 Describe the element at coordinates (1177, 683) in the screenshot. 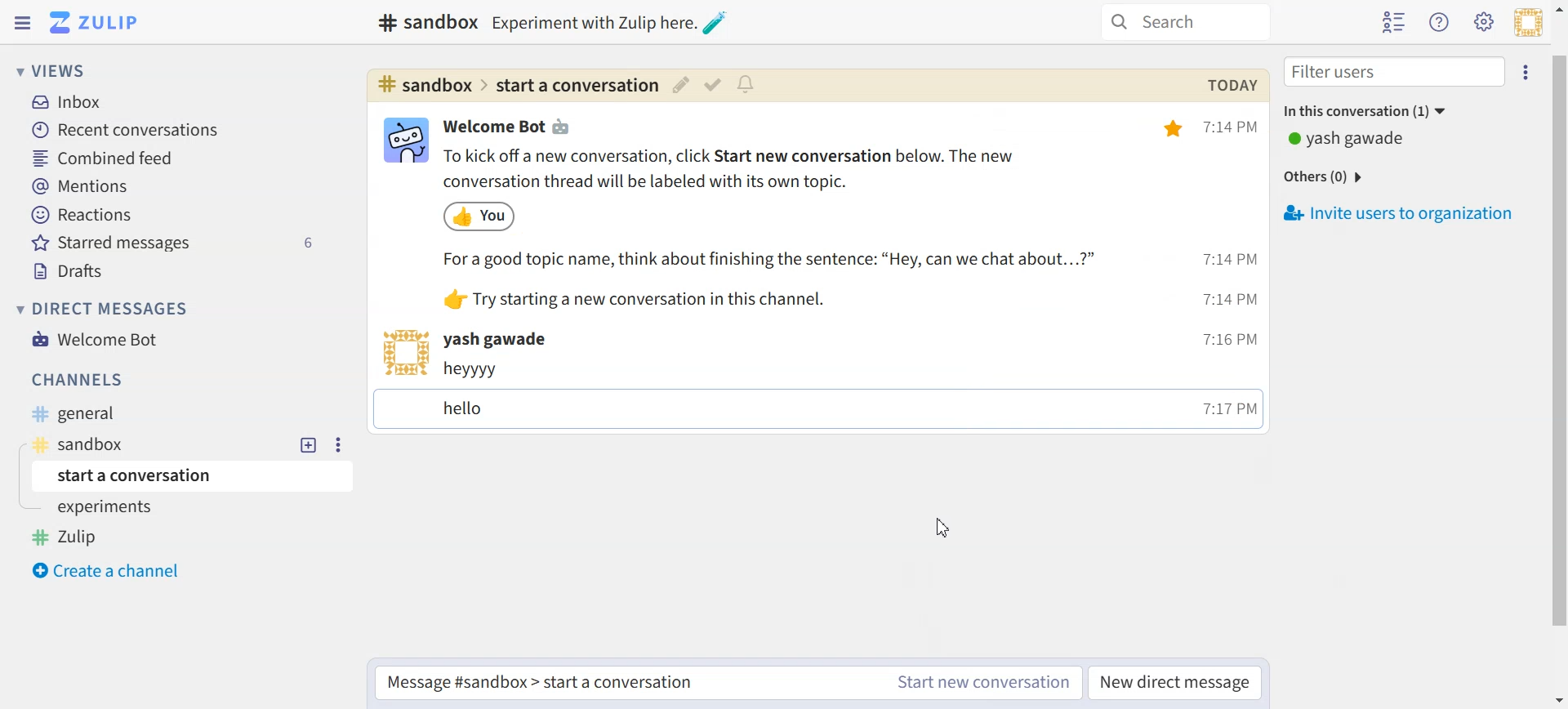

I see `New direct messages` at that location.